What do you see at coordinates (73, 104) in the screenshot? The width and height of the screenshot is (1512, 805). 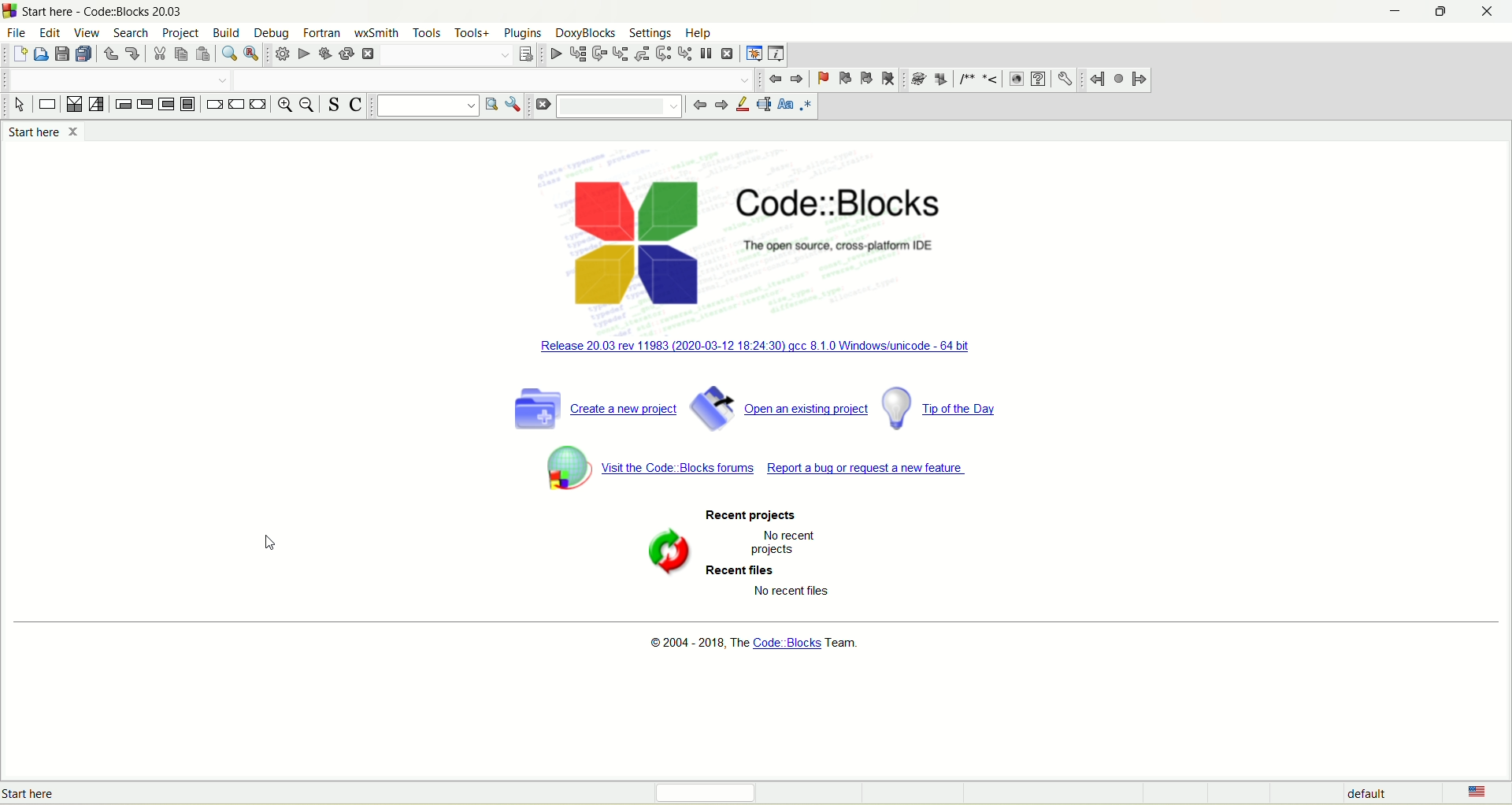 I see `decision` at bounding box center [73, 104].